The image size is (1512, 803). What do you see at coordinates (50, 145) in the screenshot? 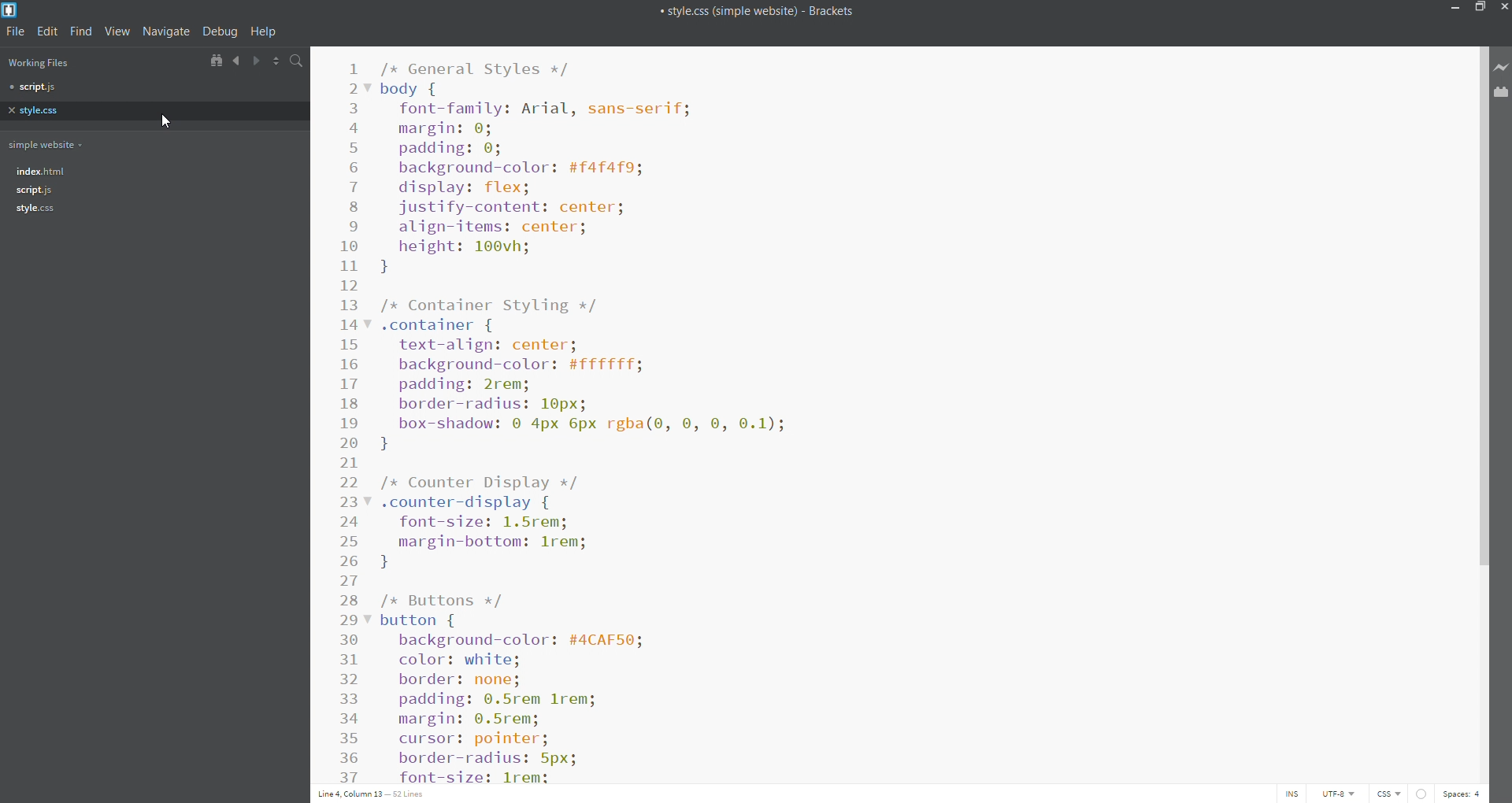
I see `simple website` at bounding box center [50, 145].